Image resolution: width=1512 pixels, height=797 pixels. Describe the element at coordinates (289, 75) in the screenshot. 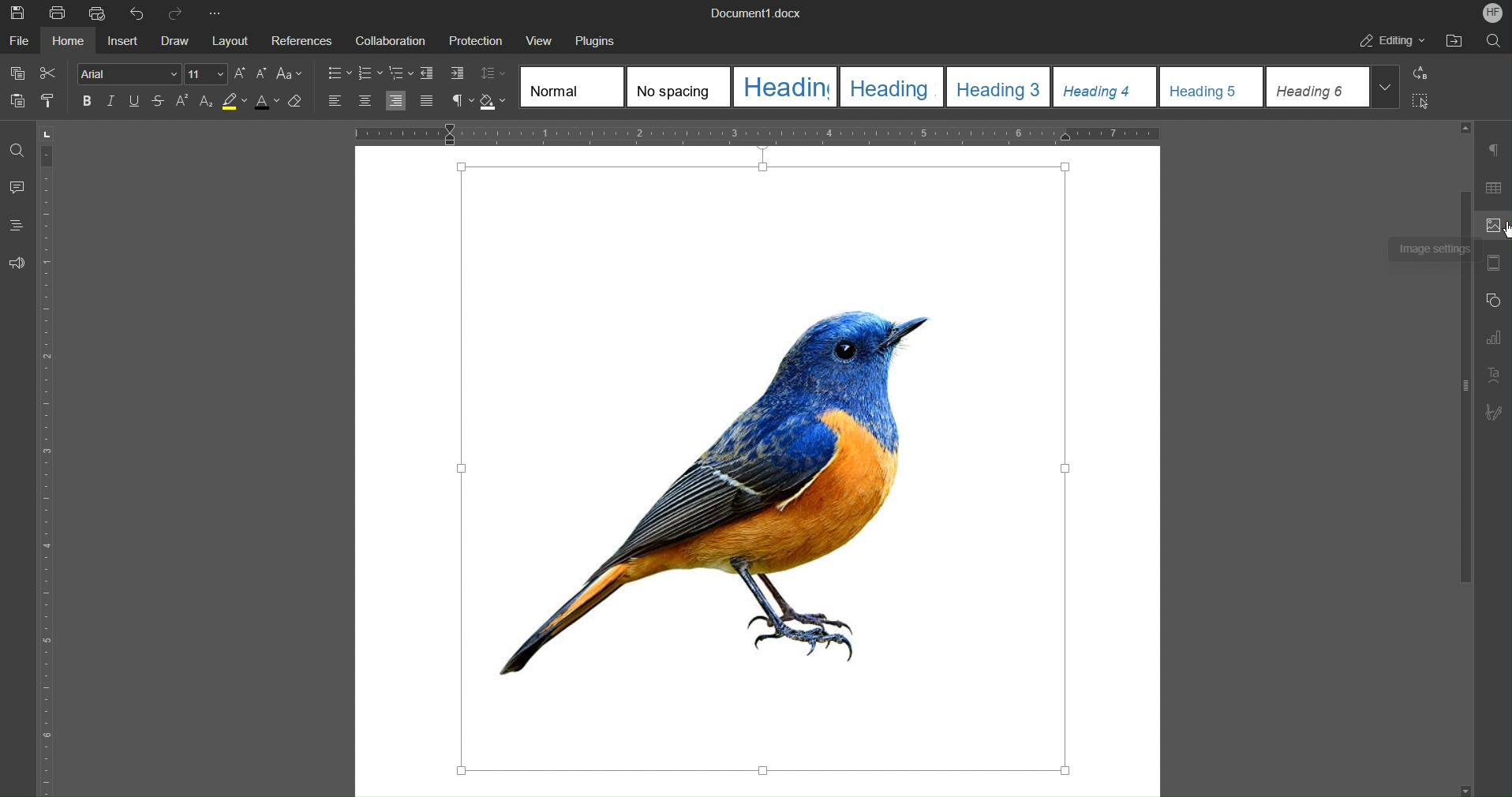

I see `Text Case` at that location.